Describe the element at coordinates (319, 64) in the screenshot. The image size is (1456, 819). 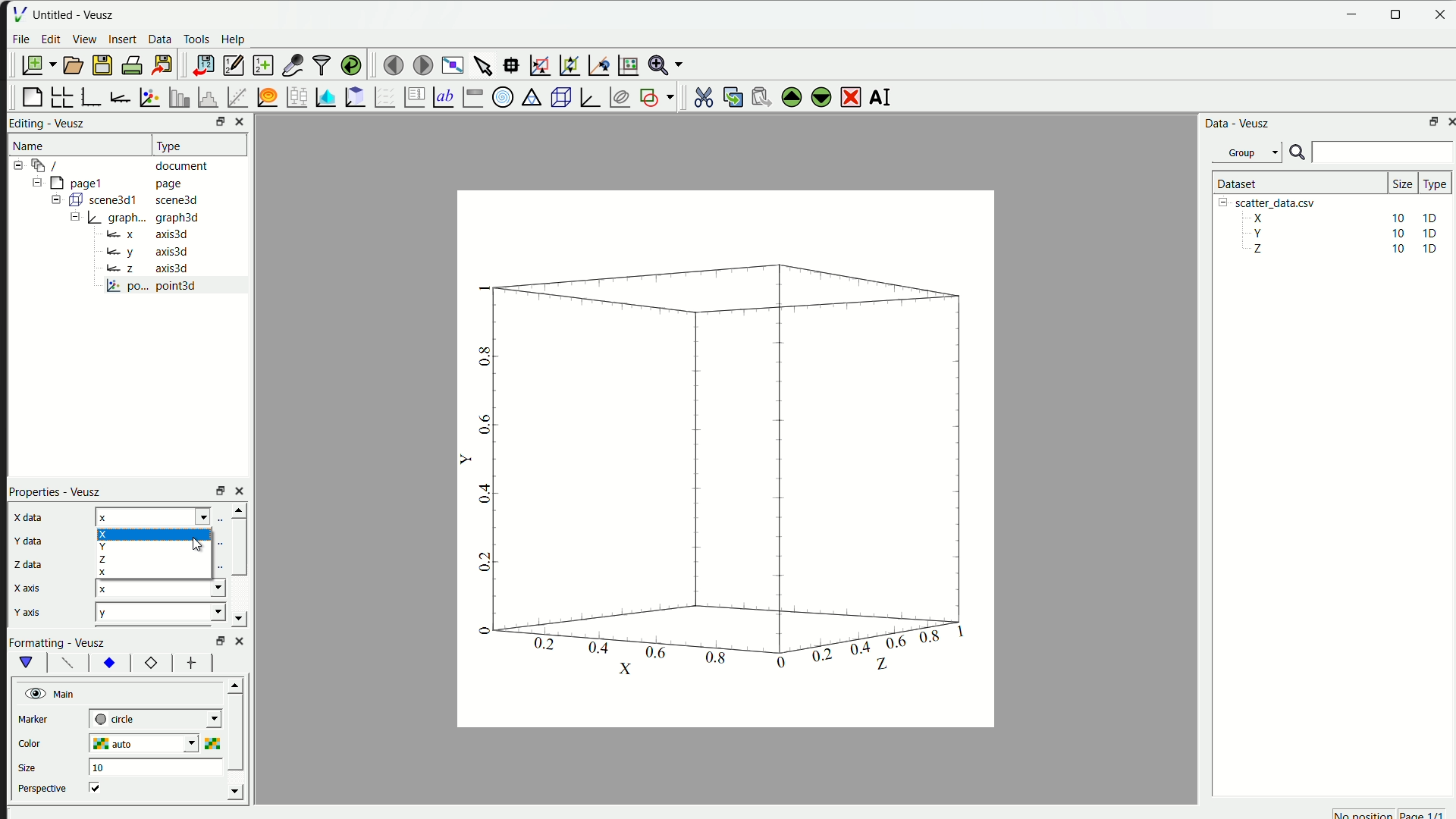
I see `filter data` at that location.